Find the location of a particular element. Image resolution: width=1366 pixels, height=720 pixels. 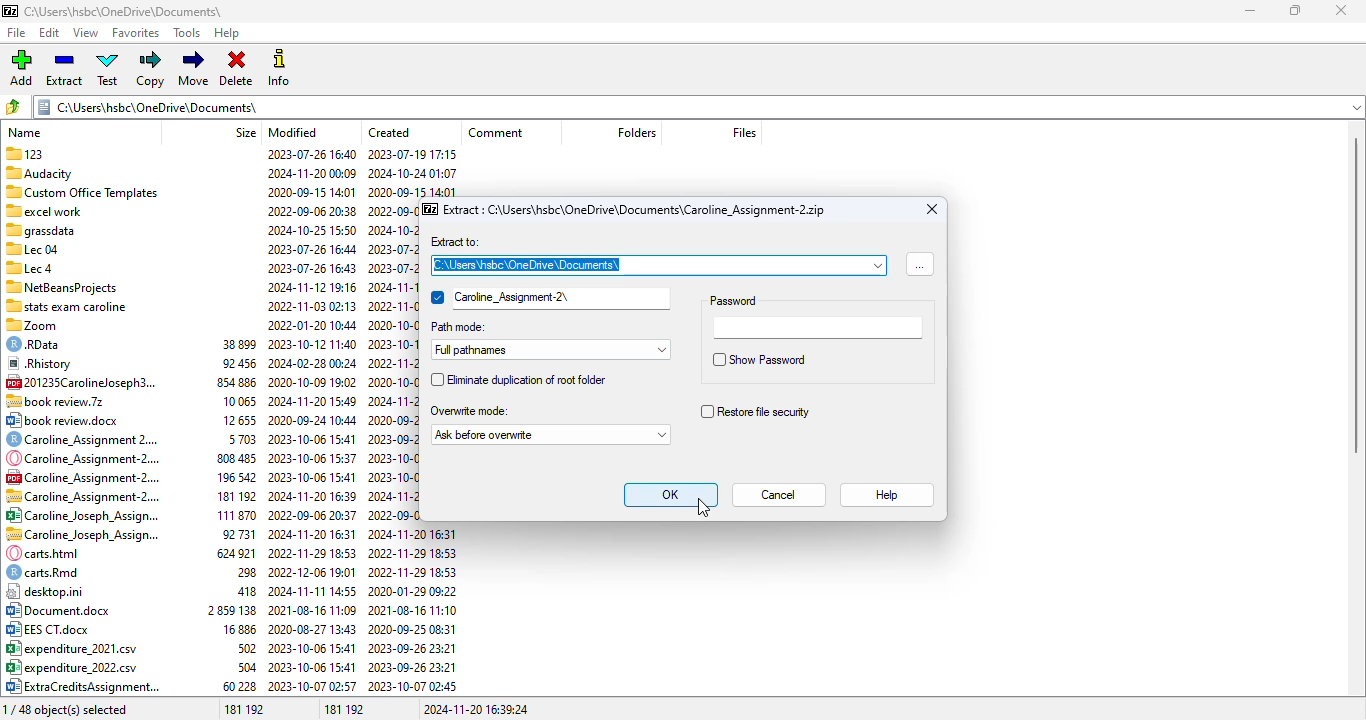

edit is located at coordinates (50, 33).